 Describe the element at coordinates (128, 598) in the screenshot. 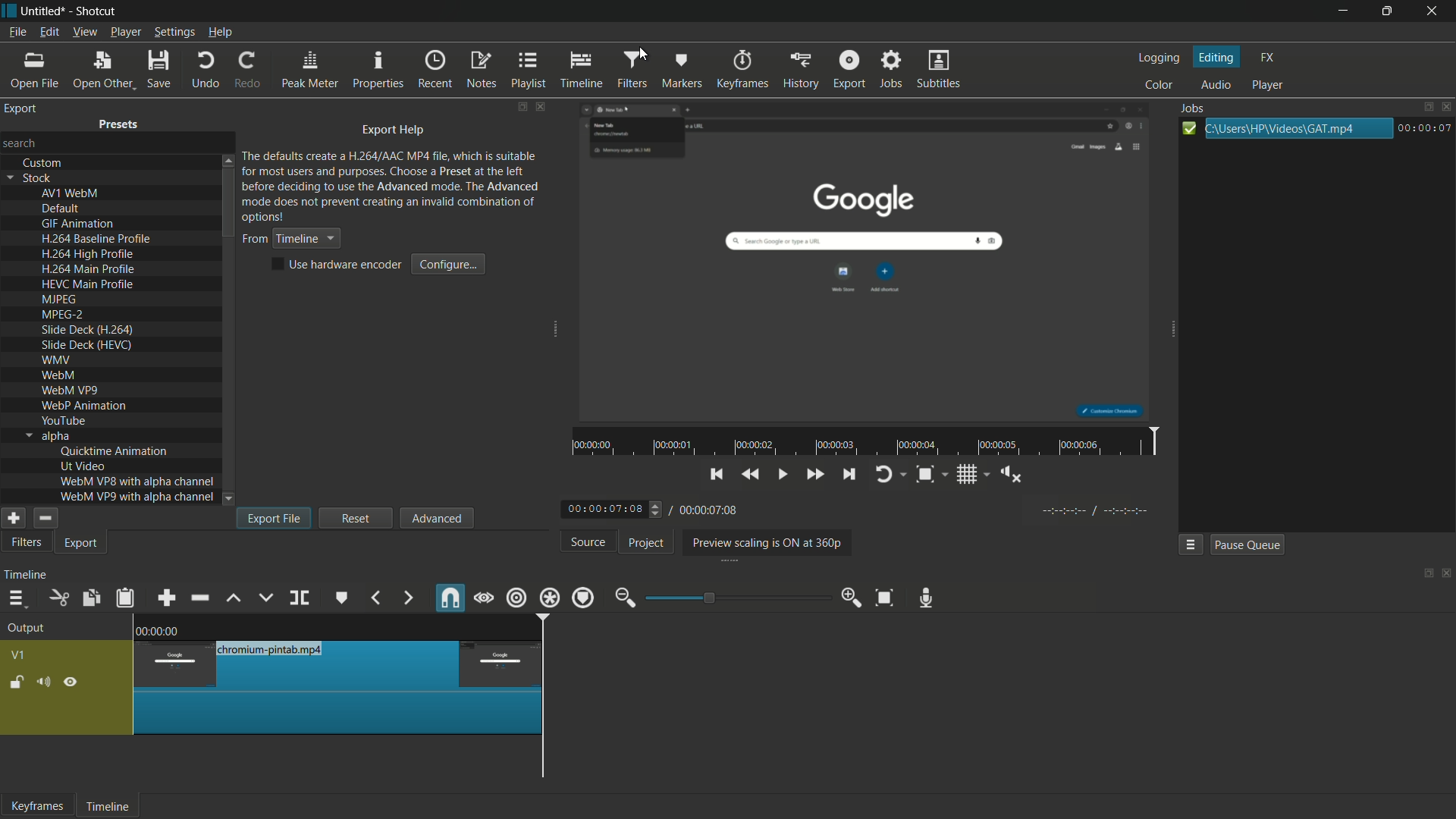

I see `paste` at that location.